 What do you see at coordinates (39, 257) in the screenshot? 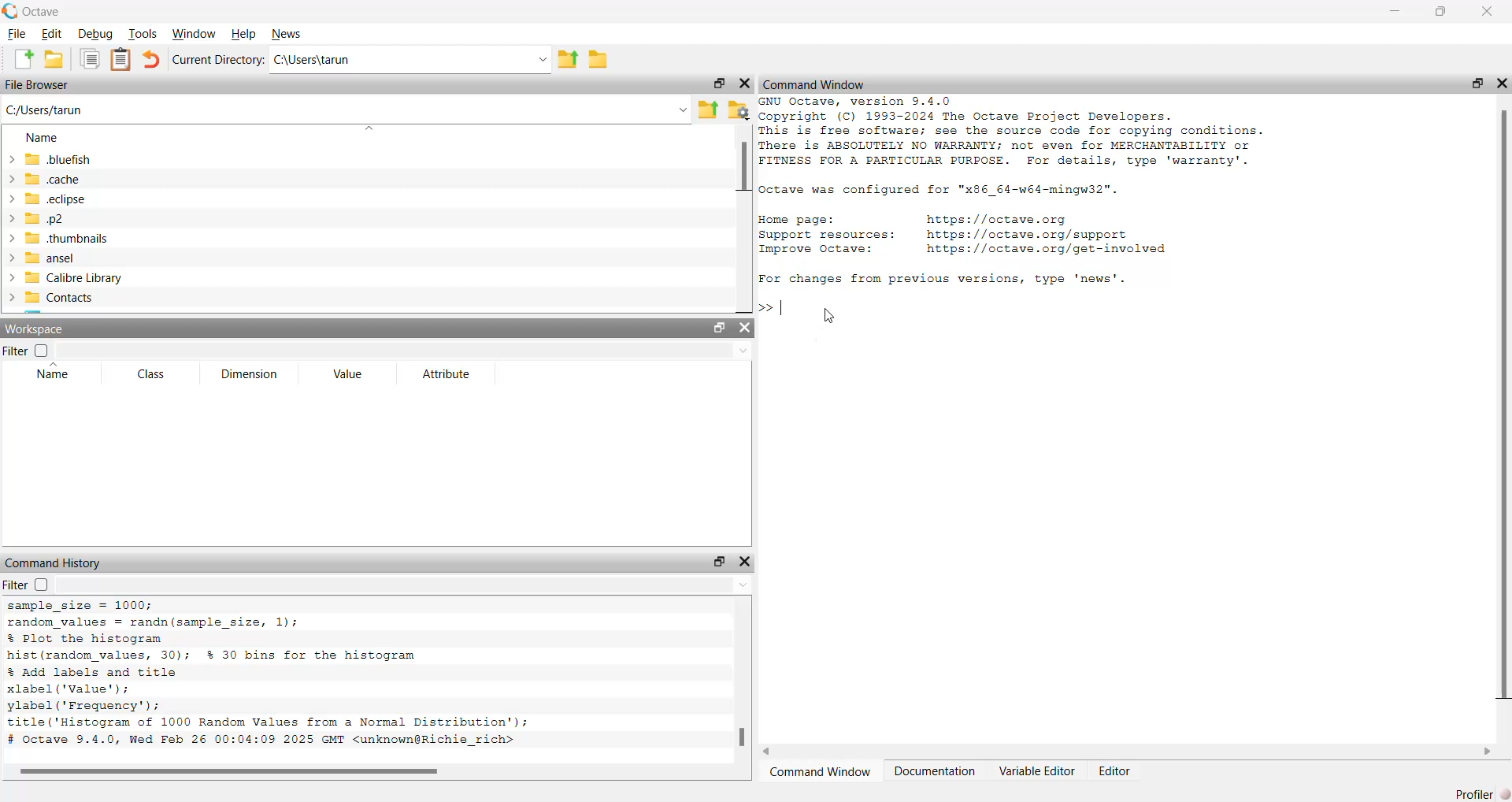
I see `ansel` at bounding box center [39, 257].